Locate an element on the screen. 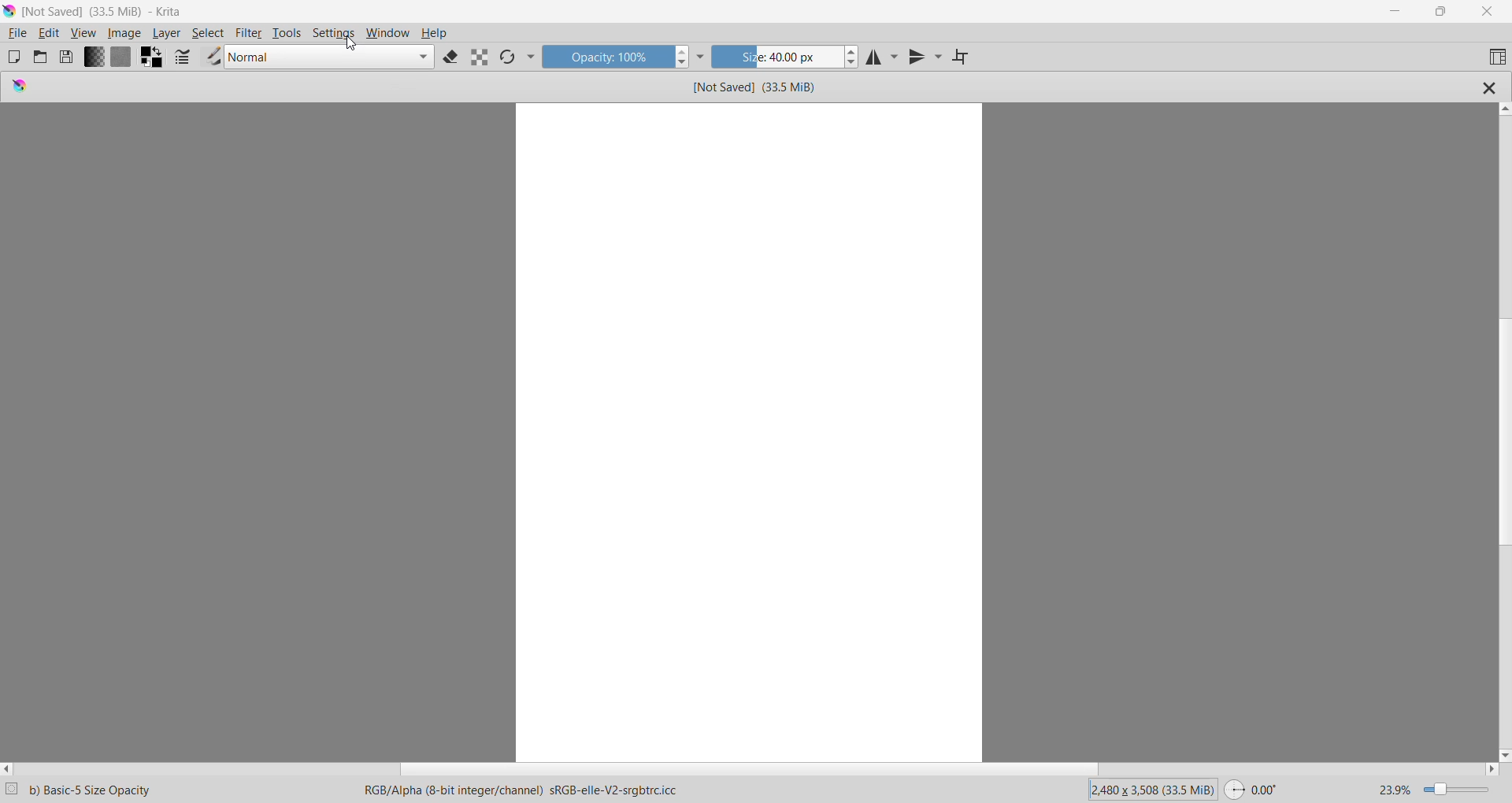 The image size is (1512, 803). Layer is located at coordinates (168, 33).